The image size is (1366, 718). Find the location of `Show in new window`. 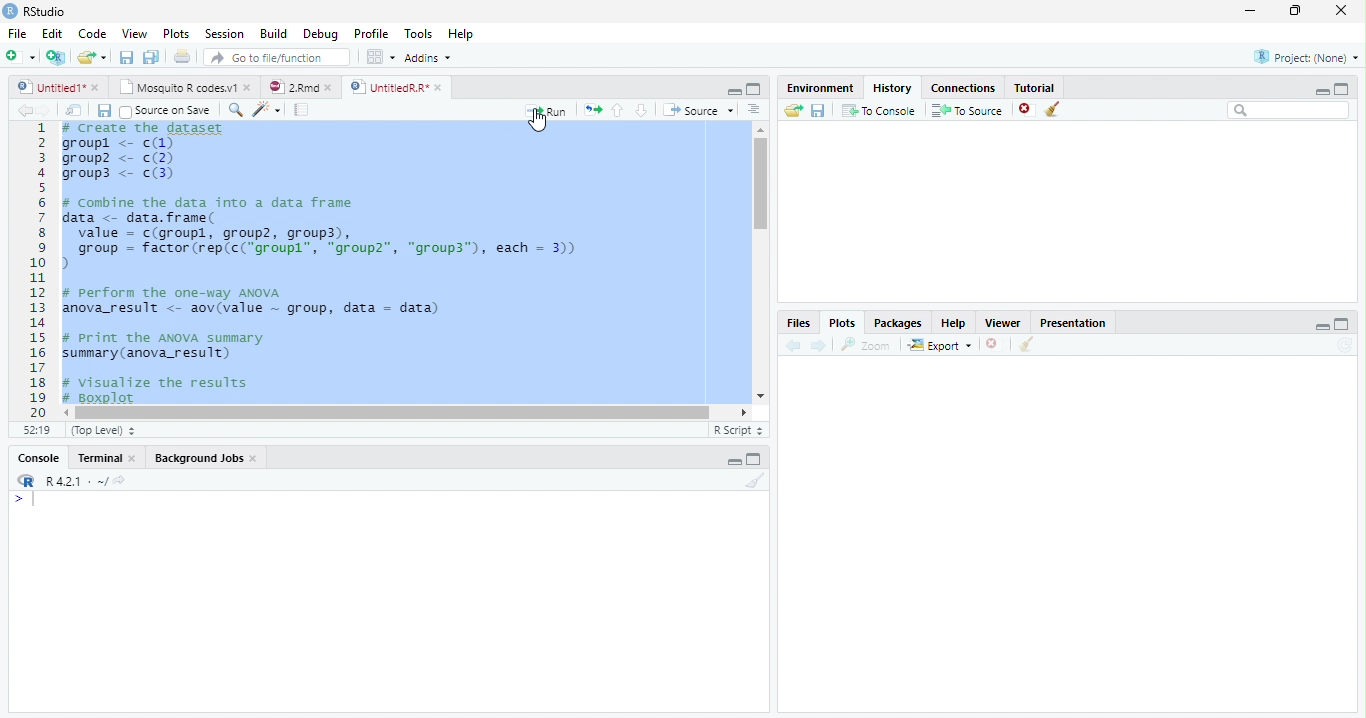

Show in new window is located at coordinates (77, 110).